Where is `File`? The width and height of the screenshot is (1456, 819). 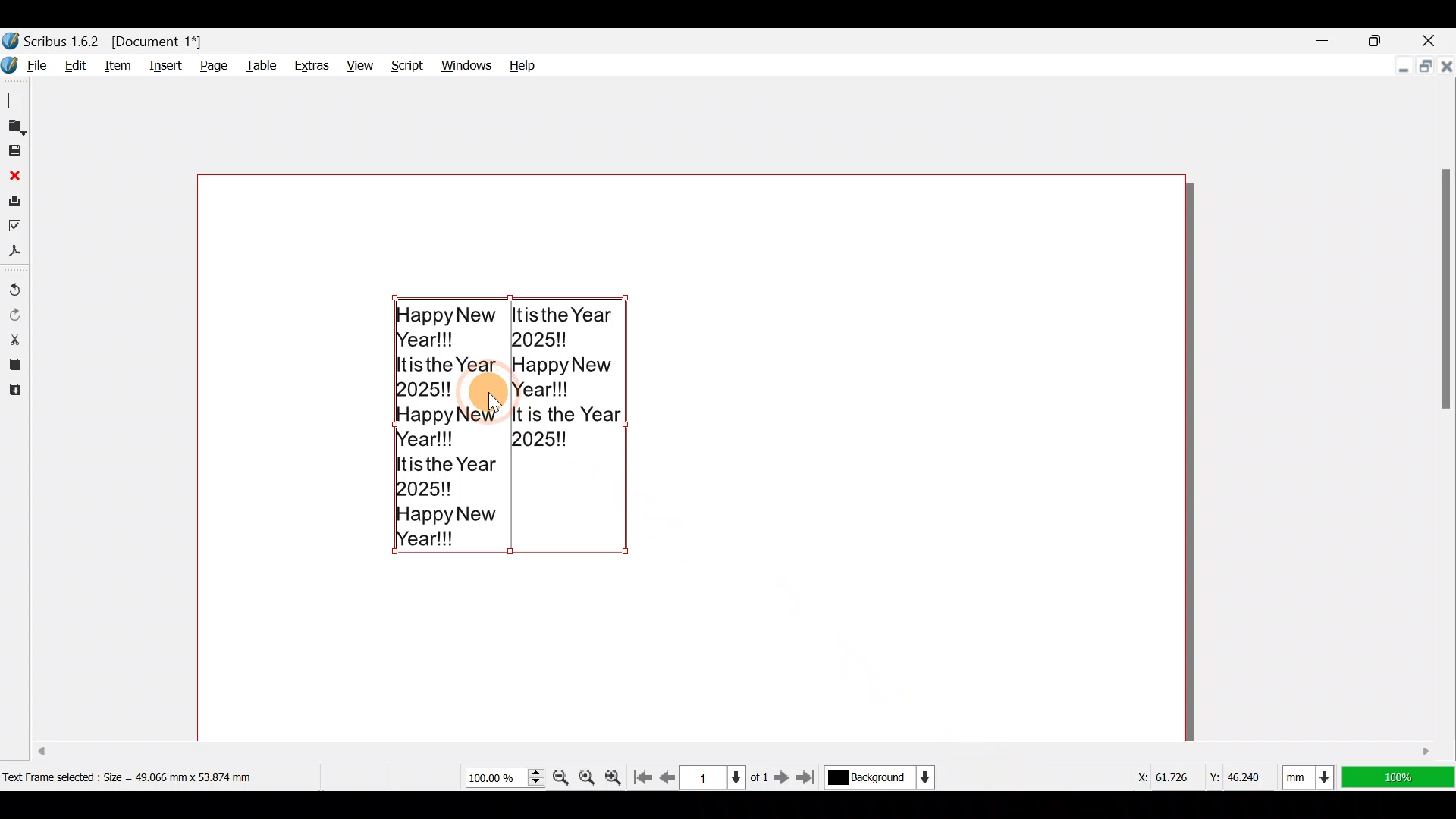 File is located at coordinates (27, 65).